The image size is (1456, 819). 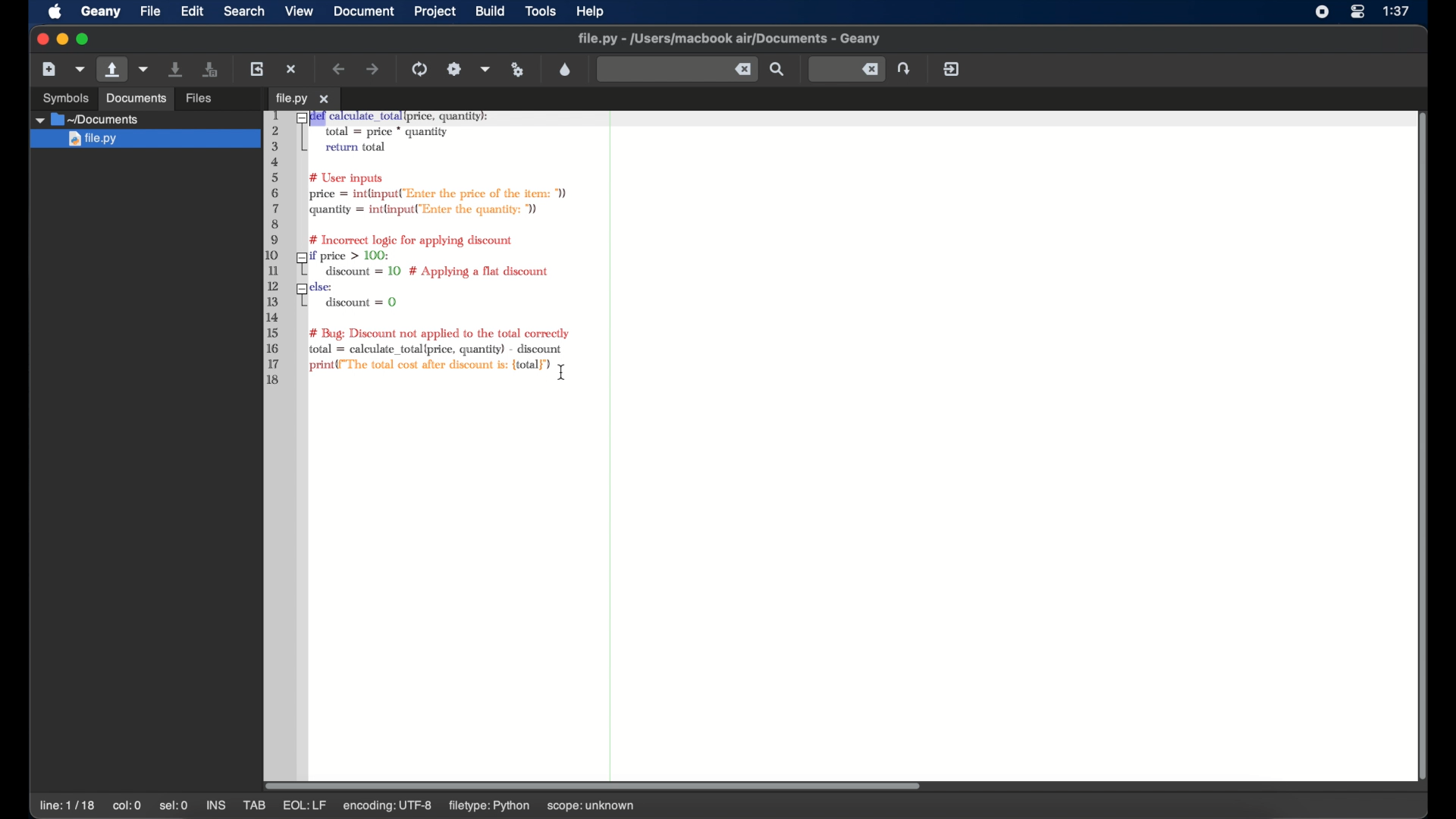 I want to click on document, so click(x=365, y=11).